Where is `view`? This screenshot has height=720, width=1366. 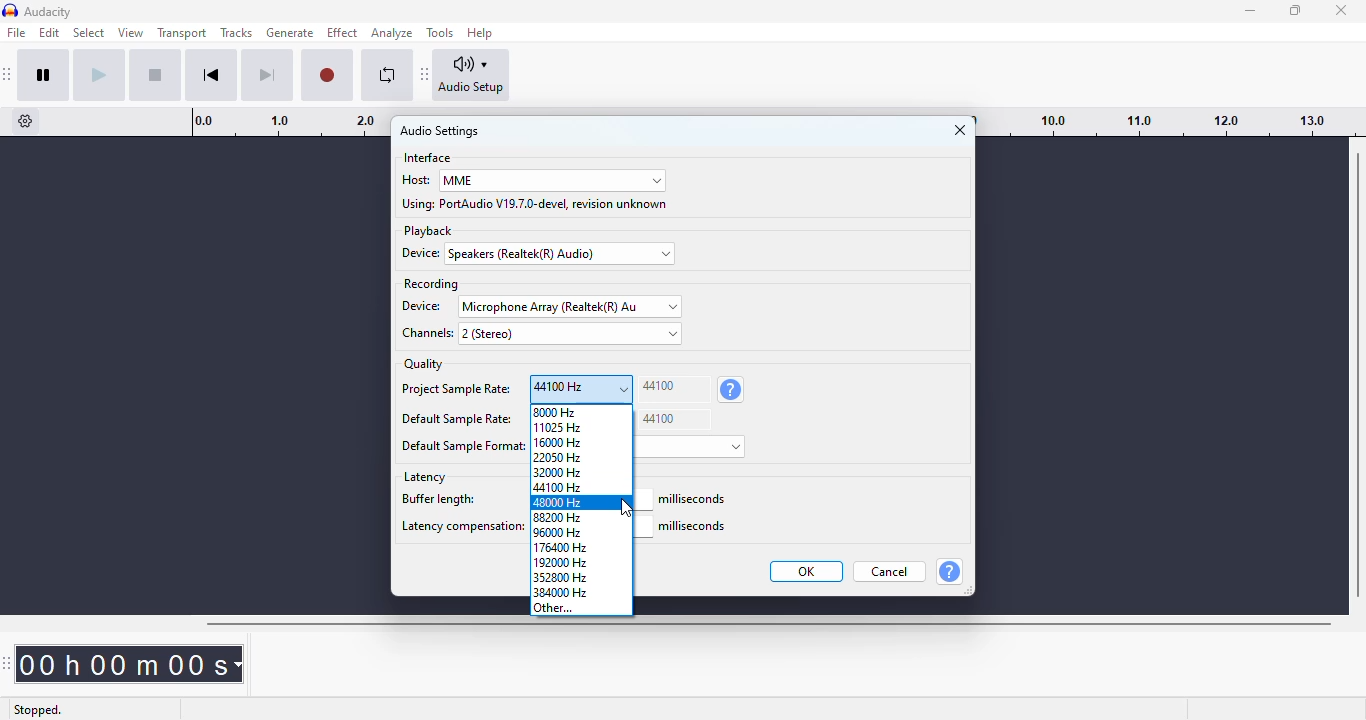
view is located at coordinates (131, 33).